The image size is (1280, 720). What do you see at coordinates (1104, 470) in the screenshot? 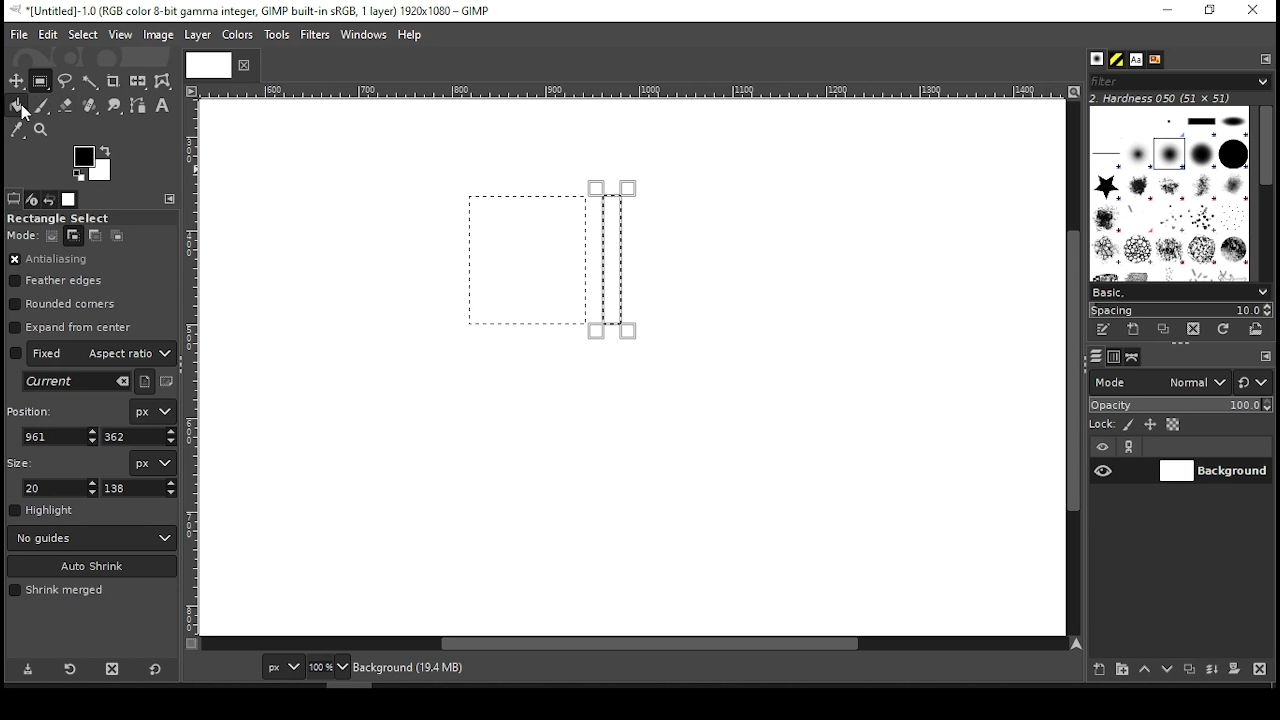
I see `layer visibility on/off` at bounding box center [1104, 470].